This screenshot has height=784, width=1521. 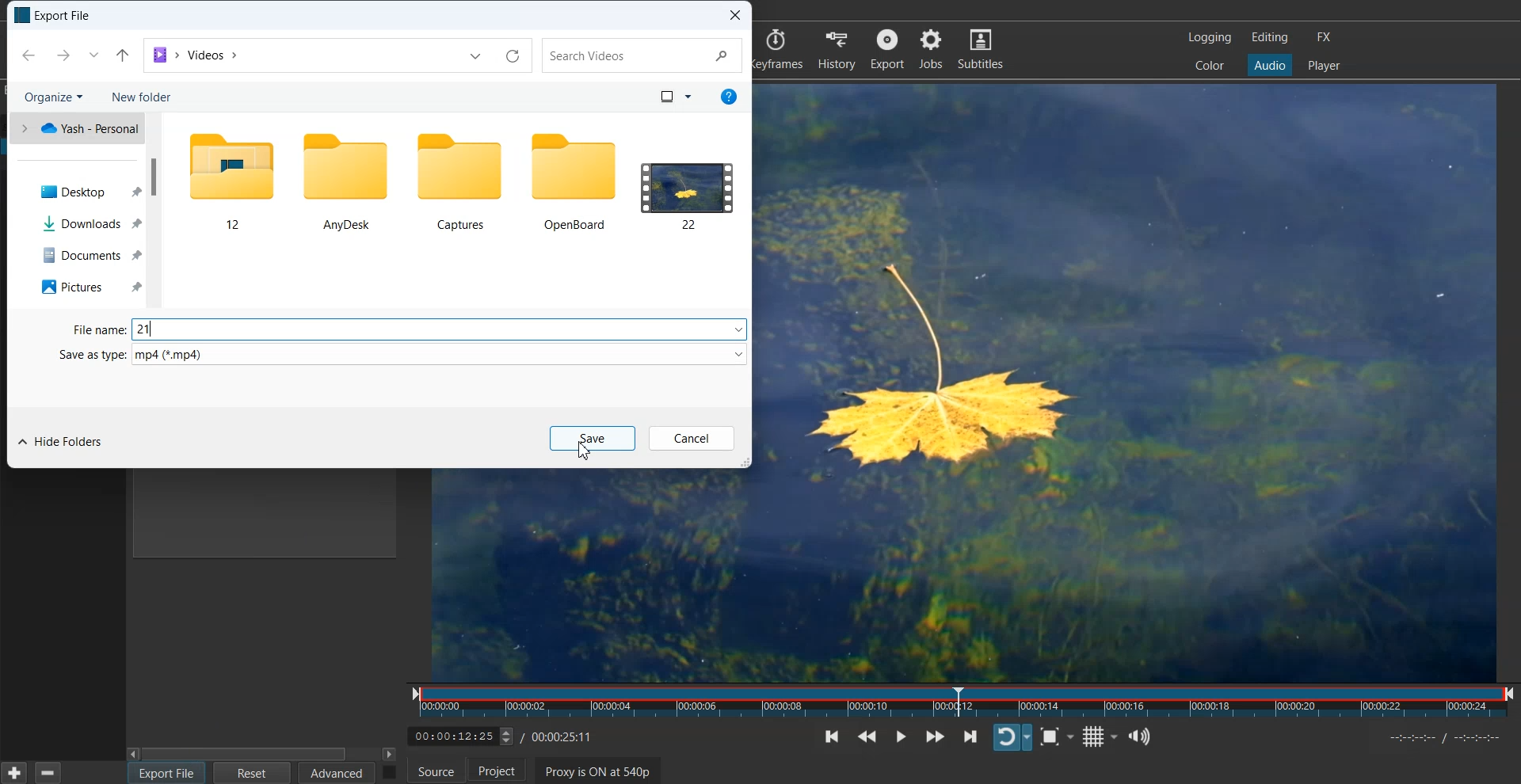 What do you see at coordinates (584, 452) in the screenshot?
I see `Cursor` at bounding box center [584, 452].